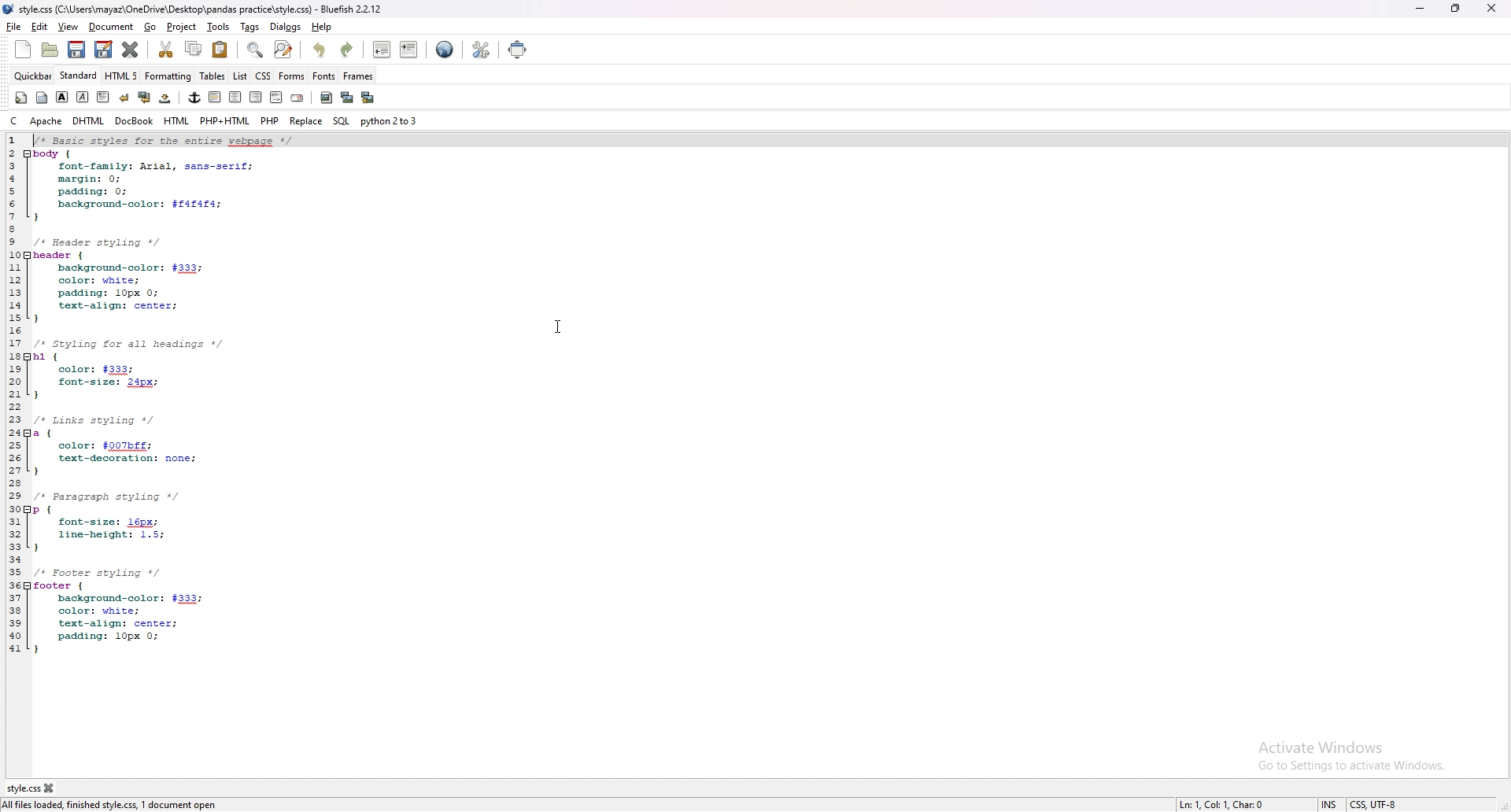 The height and width of the screenshot is (812, 1511). Describe the element at coordinates (183, 392) in the screenshot. I see `CSS code` at that location.